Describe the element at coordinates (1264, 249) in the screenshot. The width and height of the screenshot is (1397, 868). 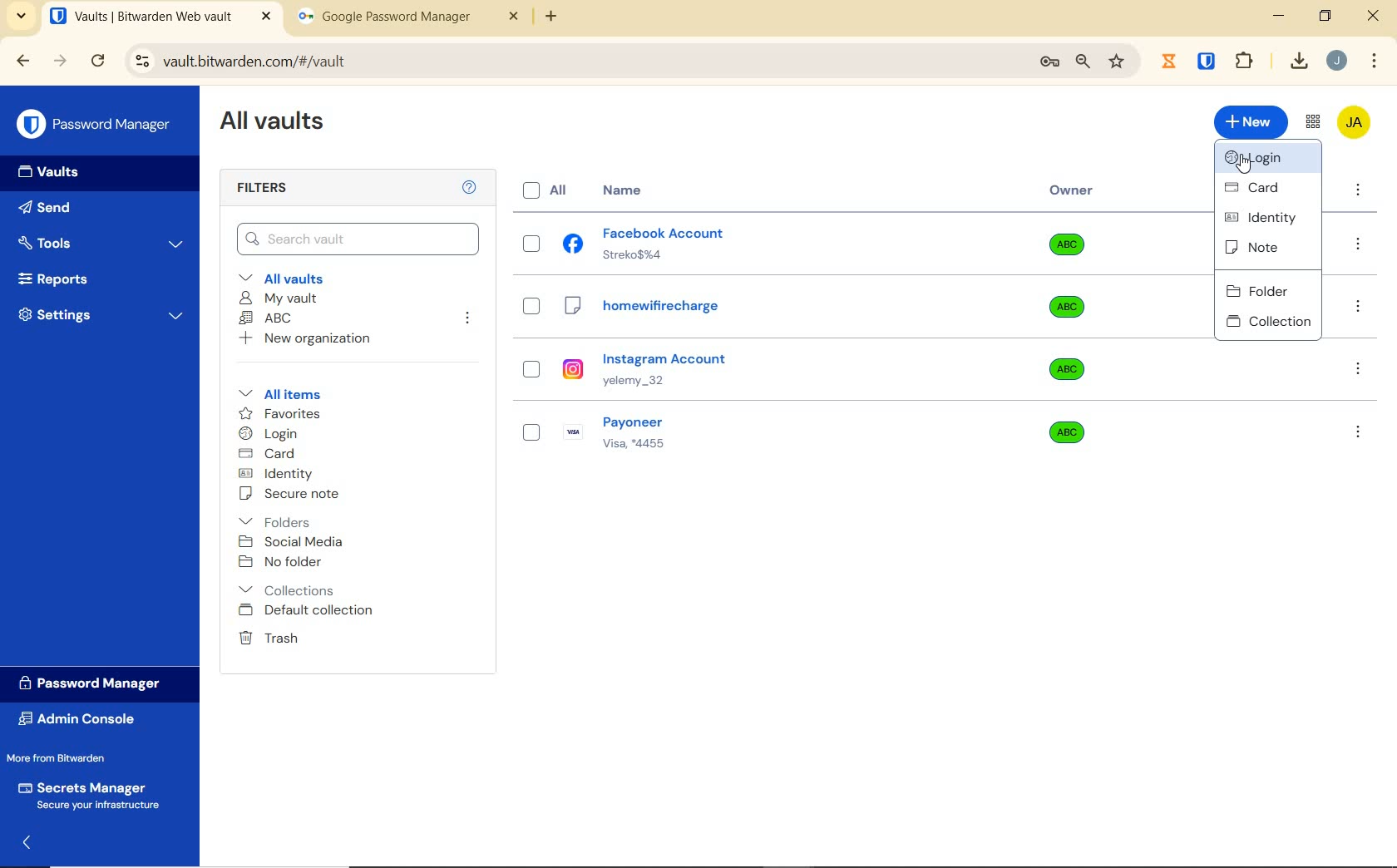
I see `note` at that location.